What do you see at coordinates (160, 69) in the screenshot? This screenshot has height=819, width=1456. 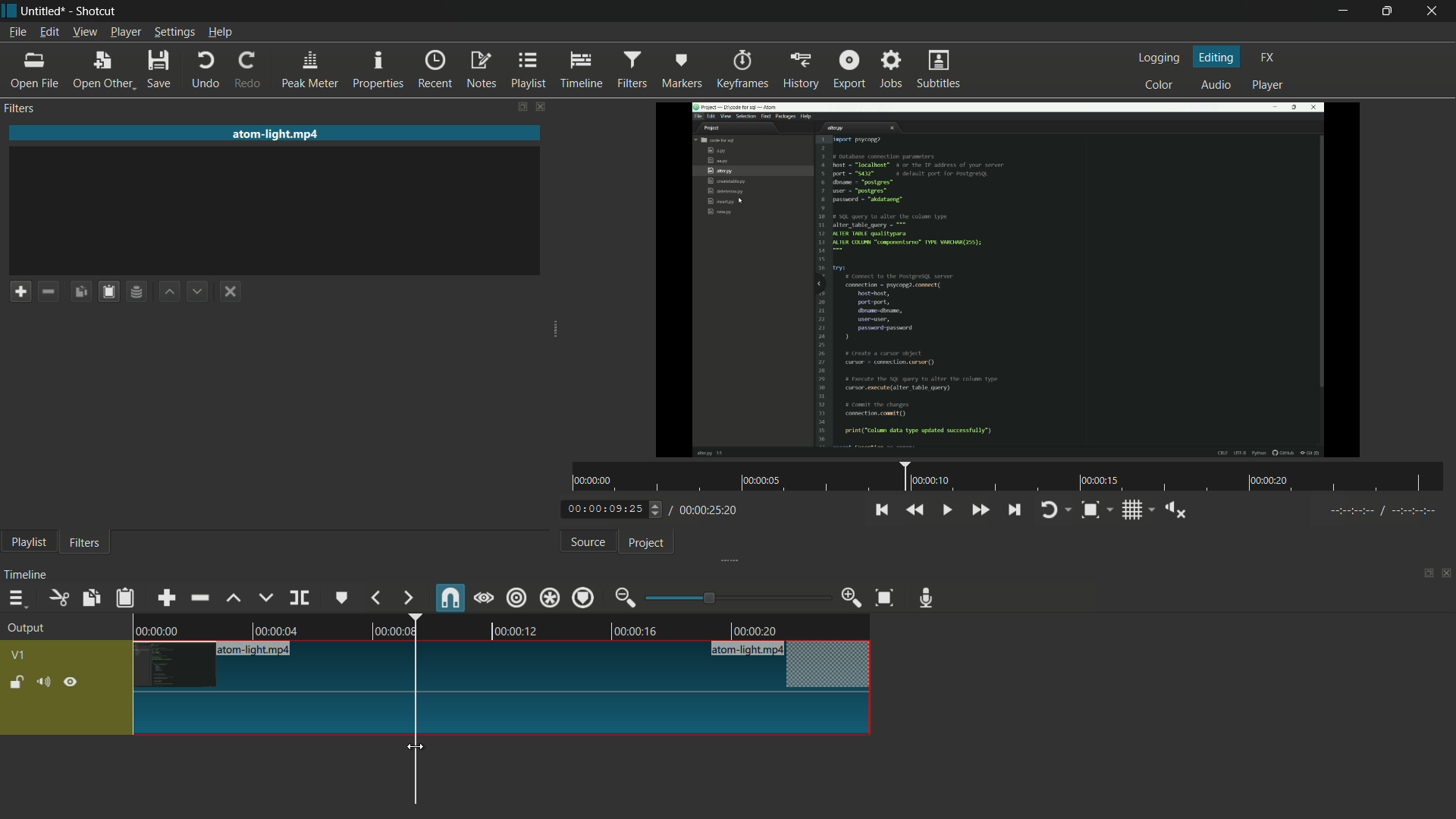 I see `save` at bounding box center [160, 69].